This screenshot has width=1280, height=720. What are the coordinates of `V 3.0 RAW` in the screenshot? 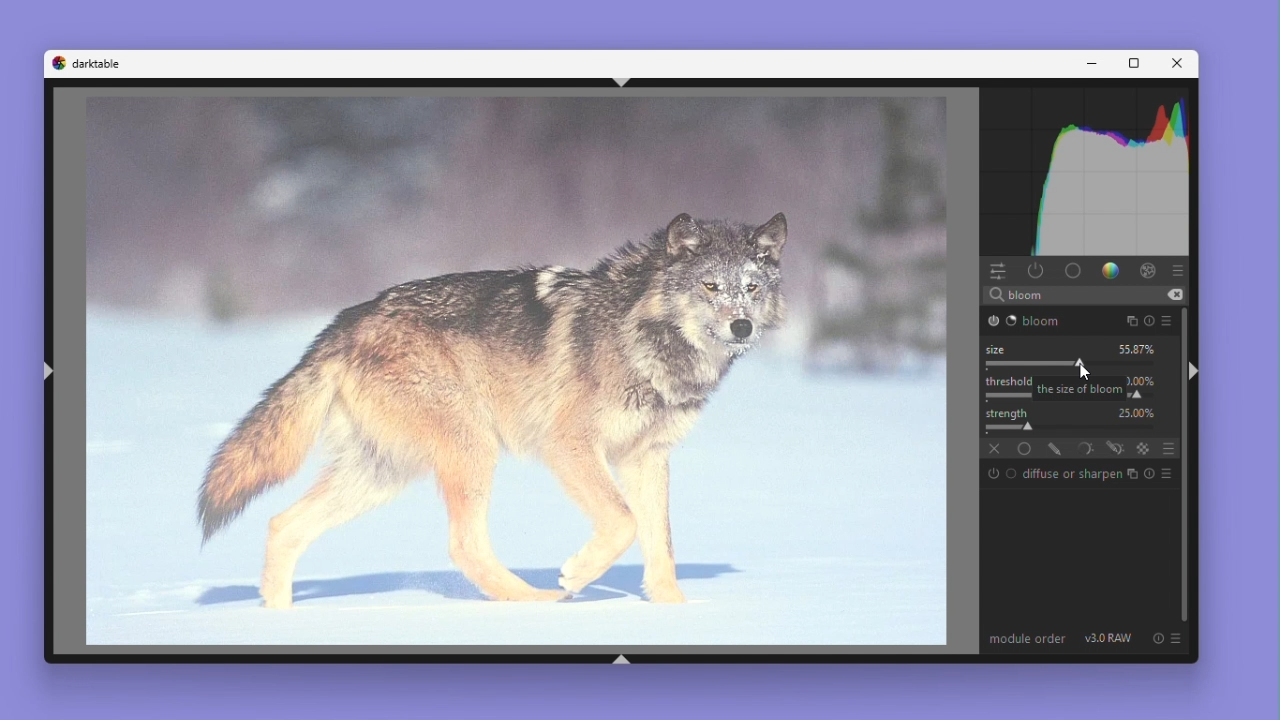 It's located at (1108, 638).